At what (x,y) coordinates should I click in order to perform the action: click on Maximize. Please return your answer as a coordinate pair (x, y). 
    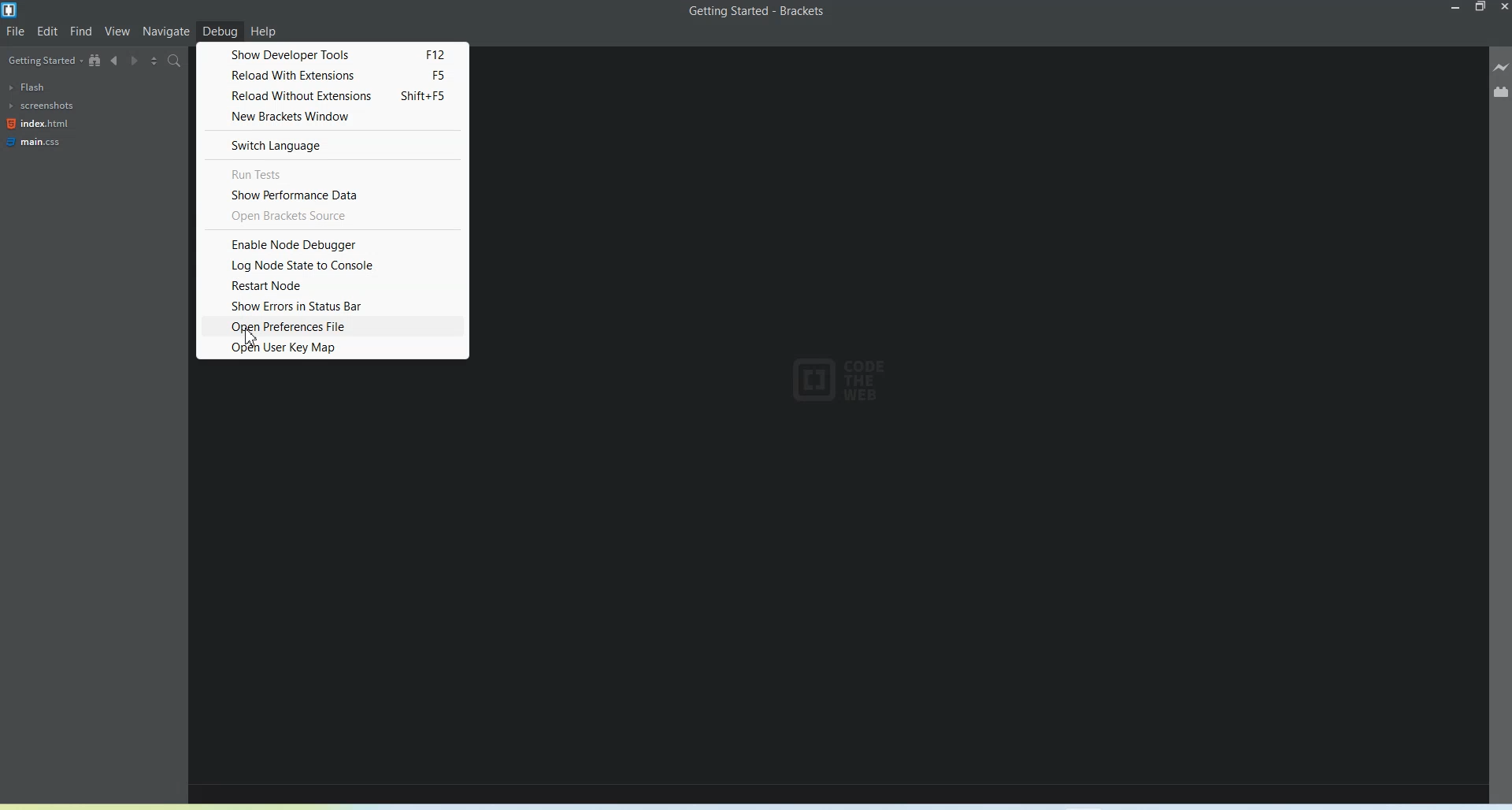
    Looking at the image, I should click on (1481, 8).